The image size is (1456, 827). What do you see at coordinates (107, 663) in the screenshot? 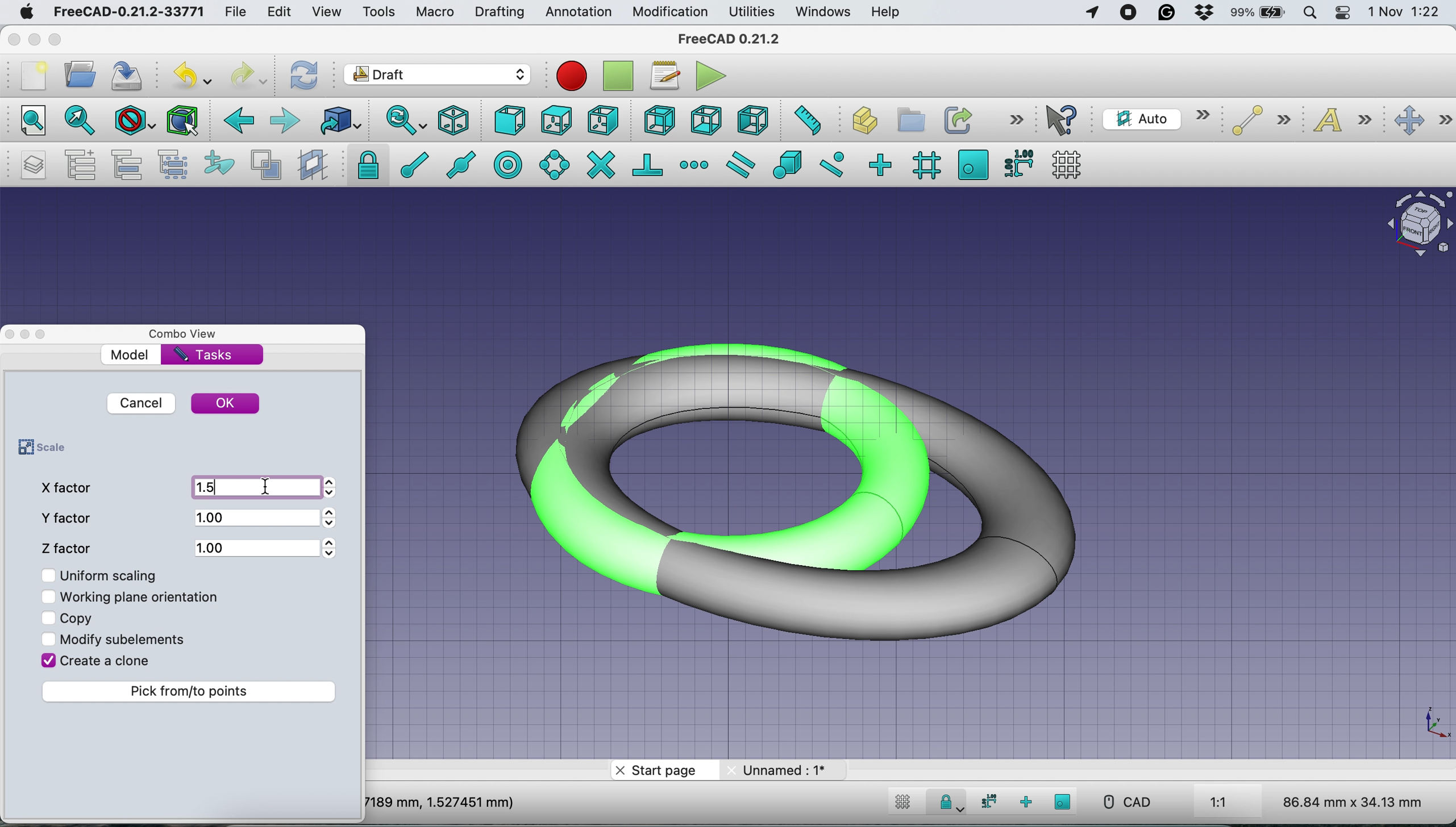
I see `create a clone` at bounding box center [107, 663].